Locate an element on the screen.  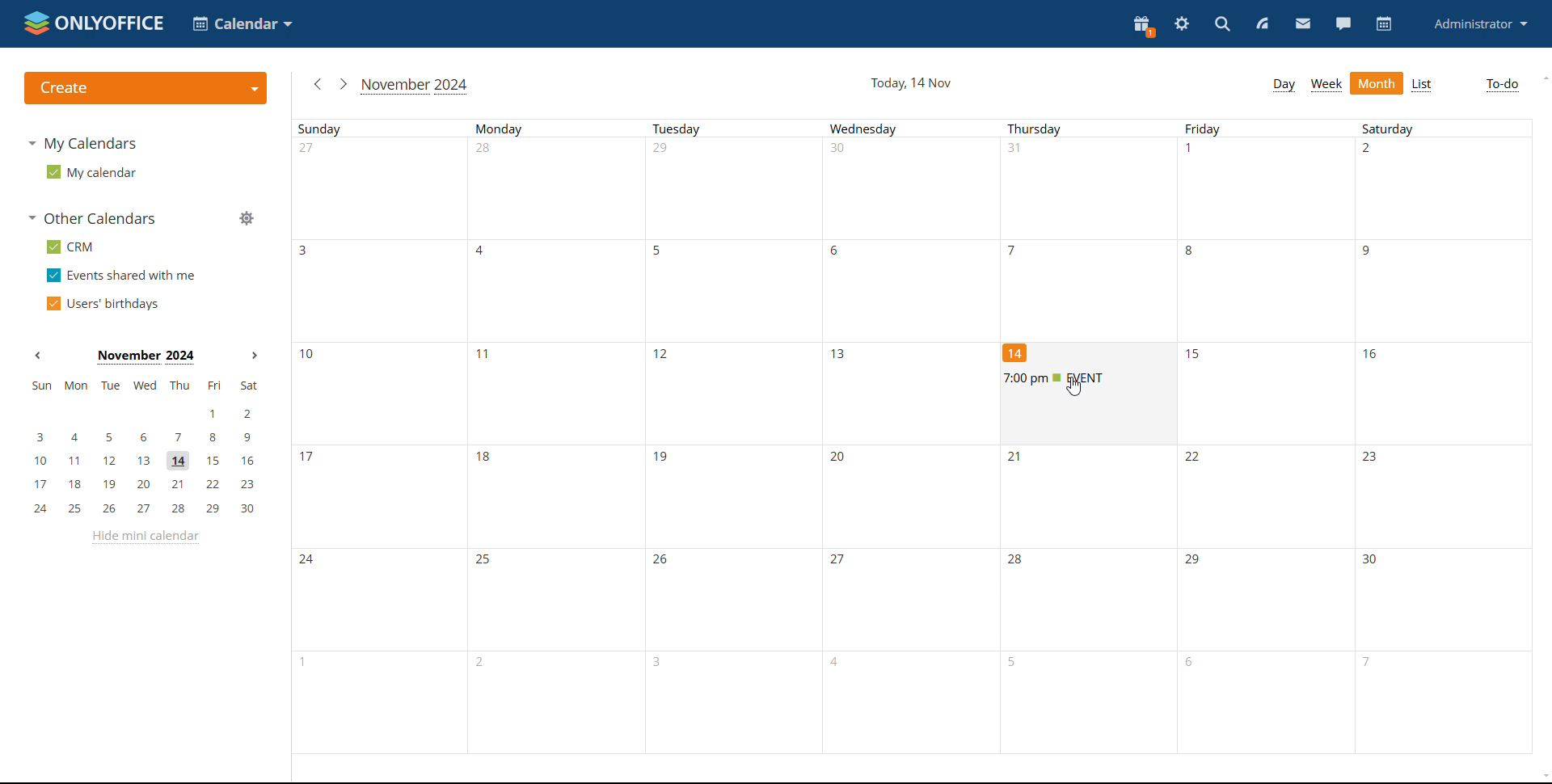
mini calendar is located at coordinates (145, 448).